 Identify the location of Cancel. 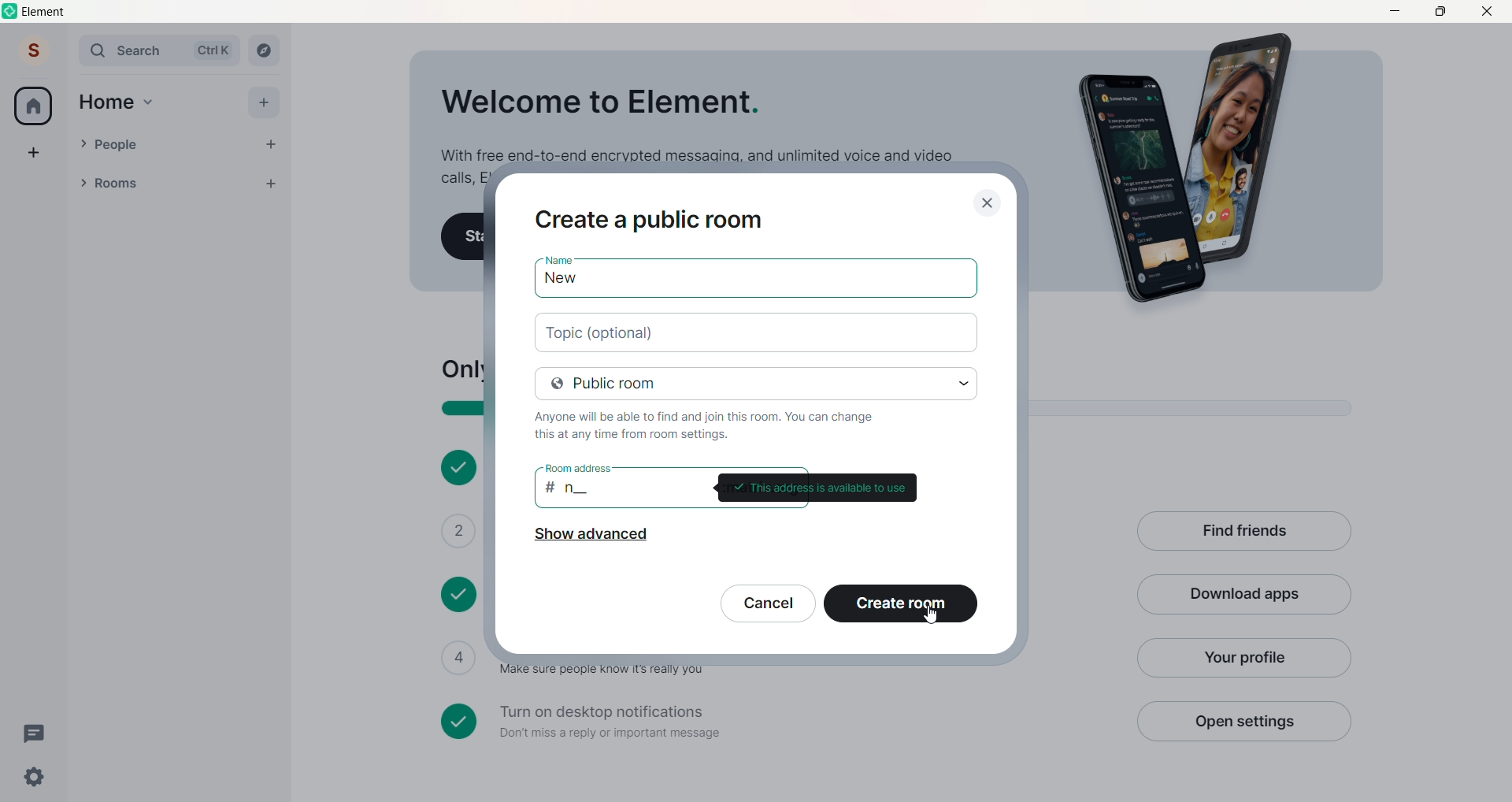
(768, 604).